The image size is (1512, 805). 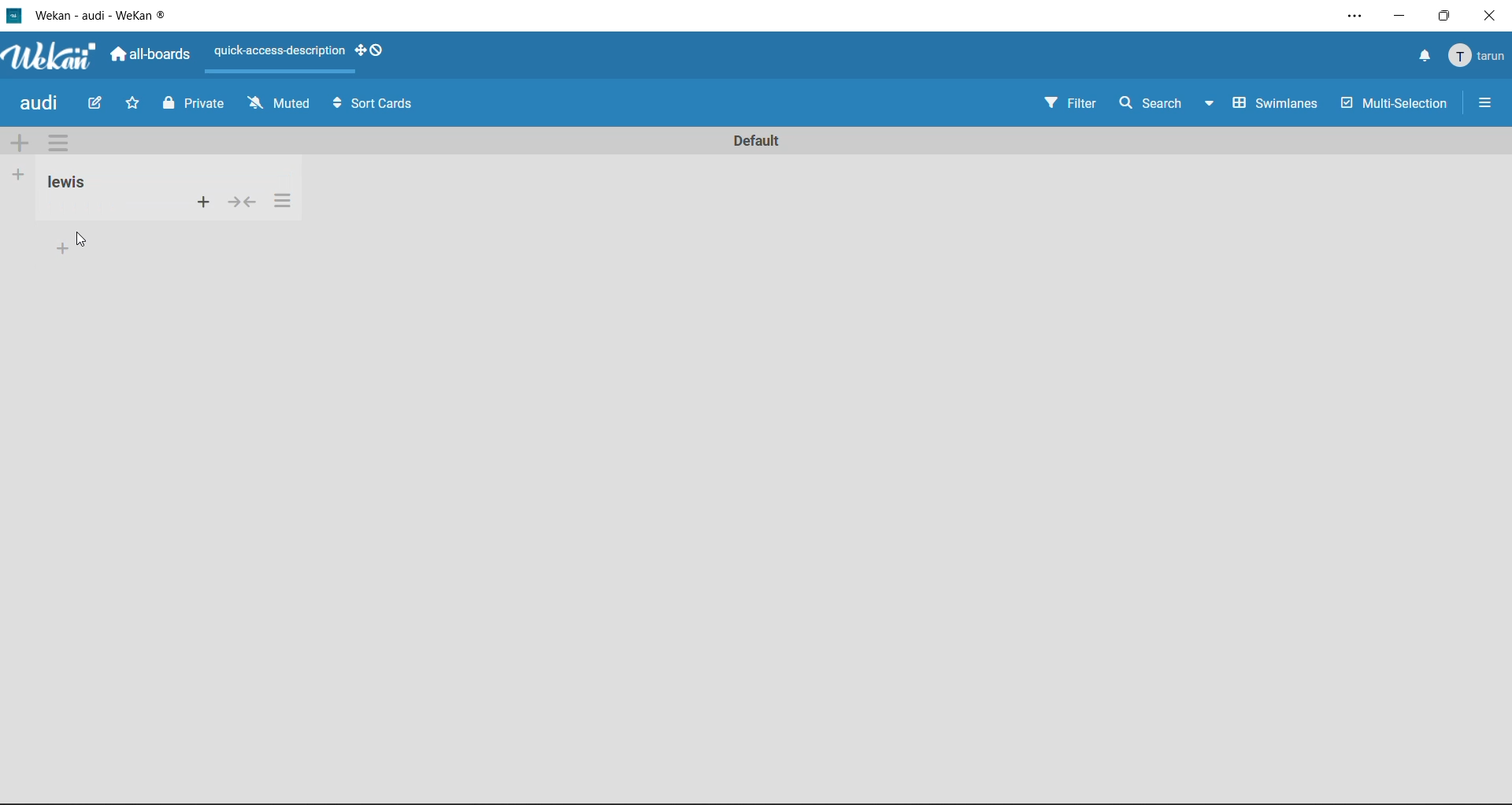 I want to click on , so click(x=83, y=239).